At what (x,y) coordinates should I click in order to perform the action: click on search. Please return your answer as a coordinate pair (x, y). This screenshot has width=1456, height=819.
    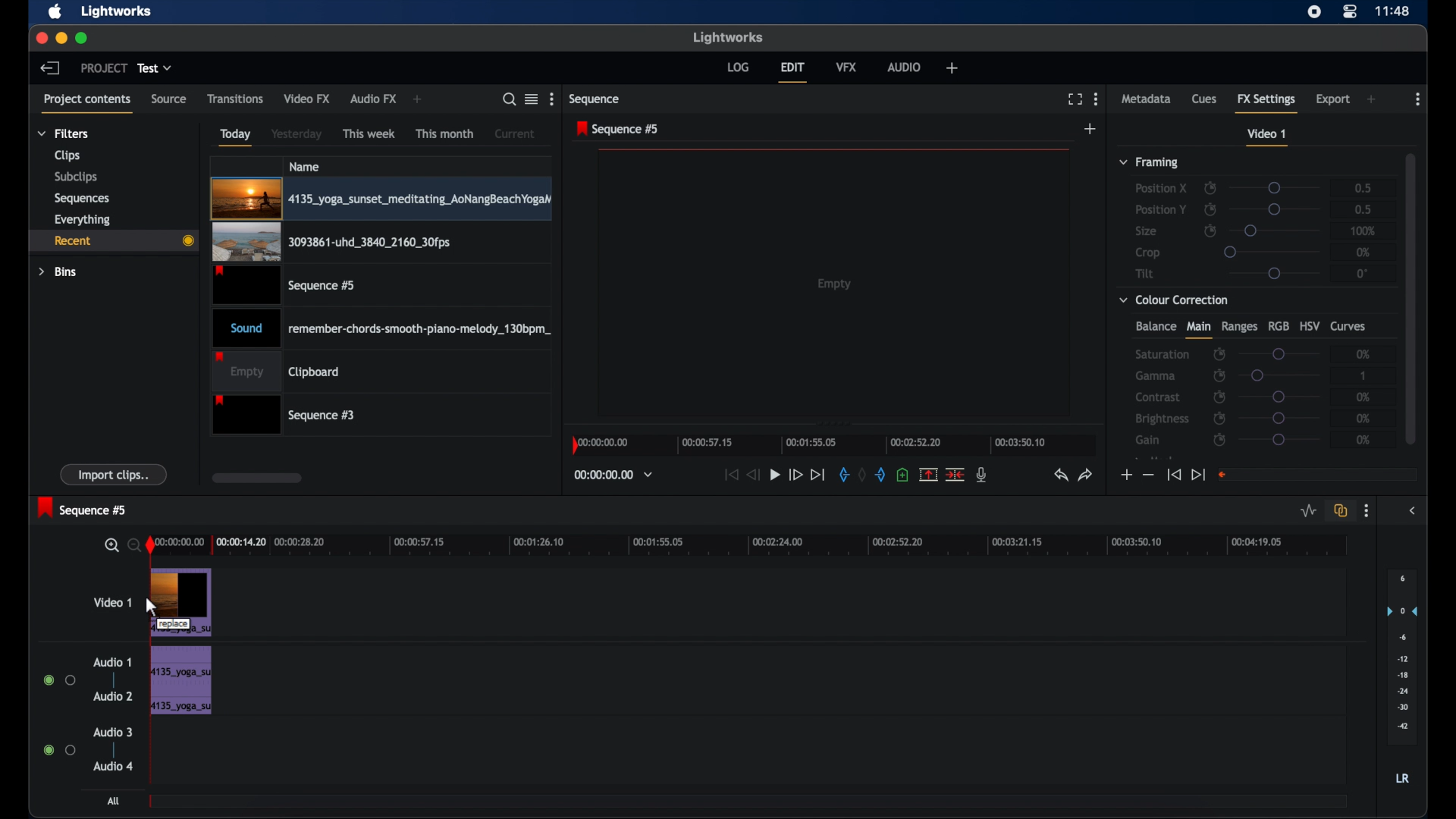
    Looking at the image, I should click on (510, 99).